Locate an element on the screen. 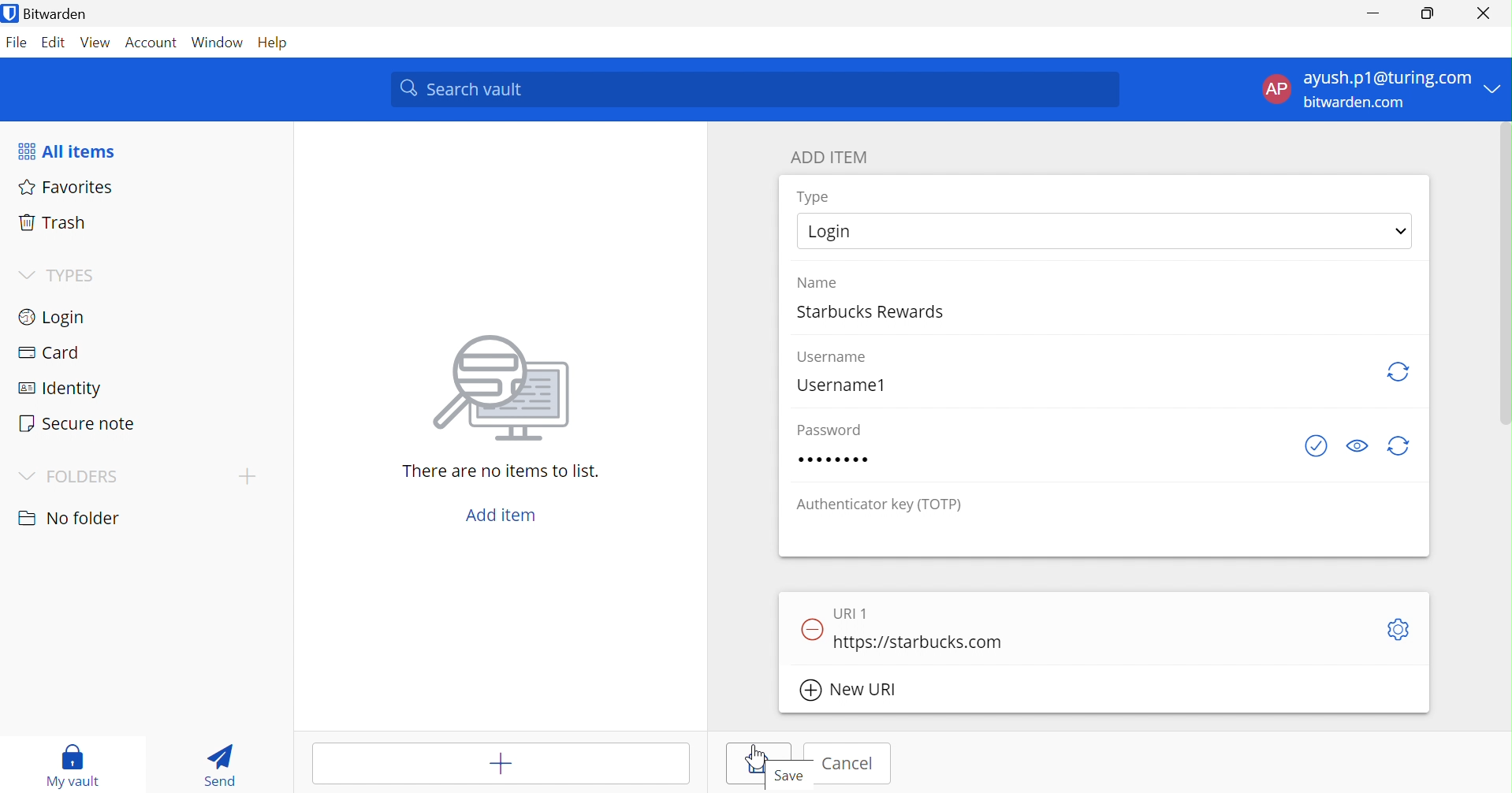  Edit is located at coordinates (55, 44).